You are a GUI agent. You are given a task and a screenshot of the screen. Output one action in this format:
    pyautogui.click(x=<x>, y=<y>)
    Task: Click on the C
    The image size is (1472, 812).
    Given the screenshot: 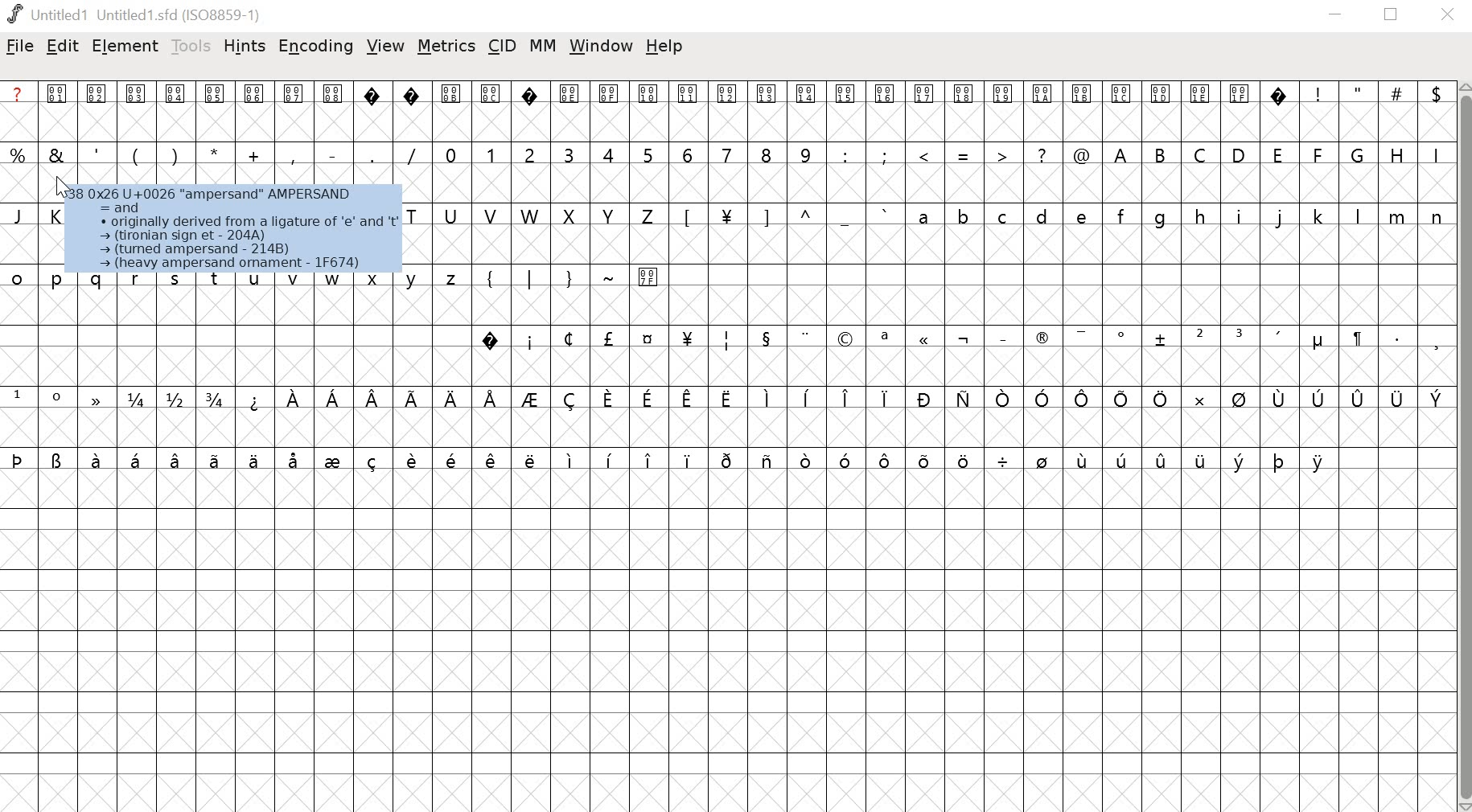 What is the action you would take?
    pyautogui.click(x=1203, y=154)
    